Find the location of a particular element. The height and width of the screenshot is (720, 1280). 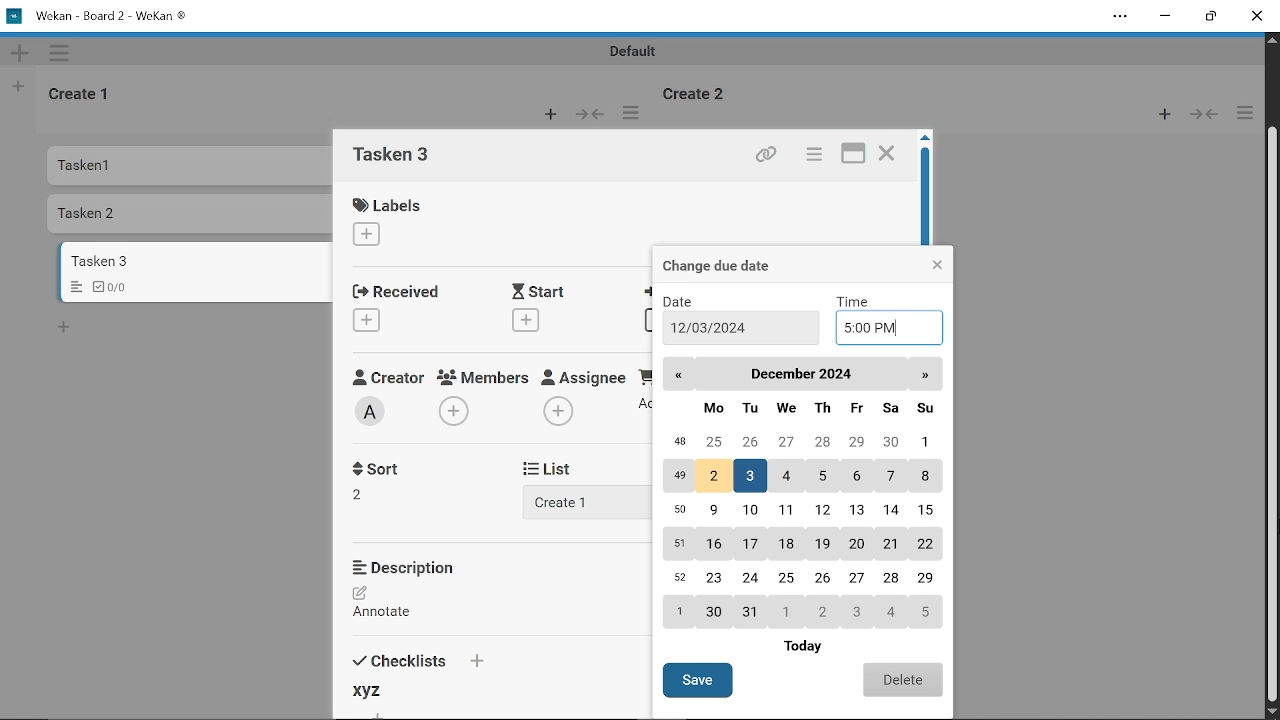

More is located at coordinates (1244, 113).